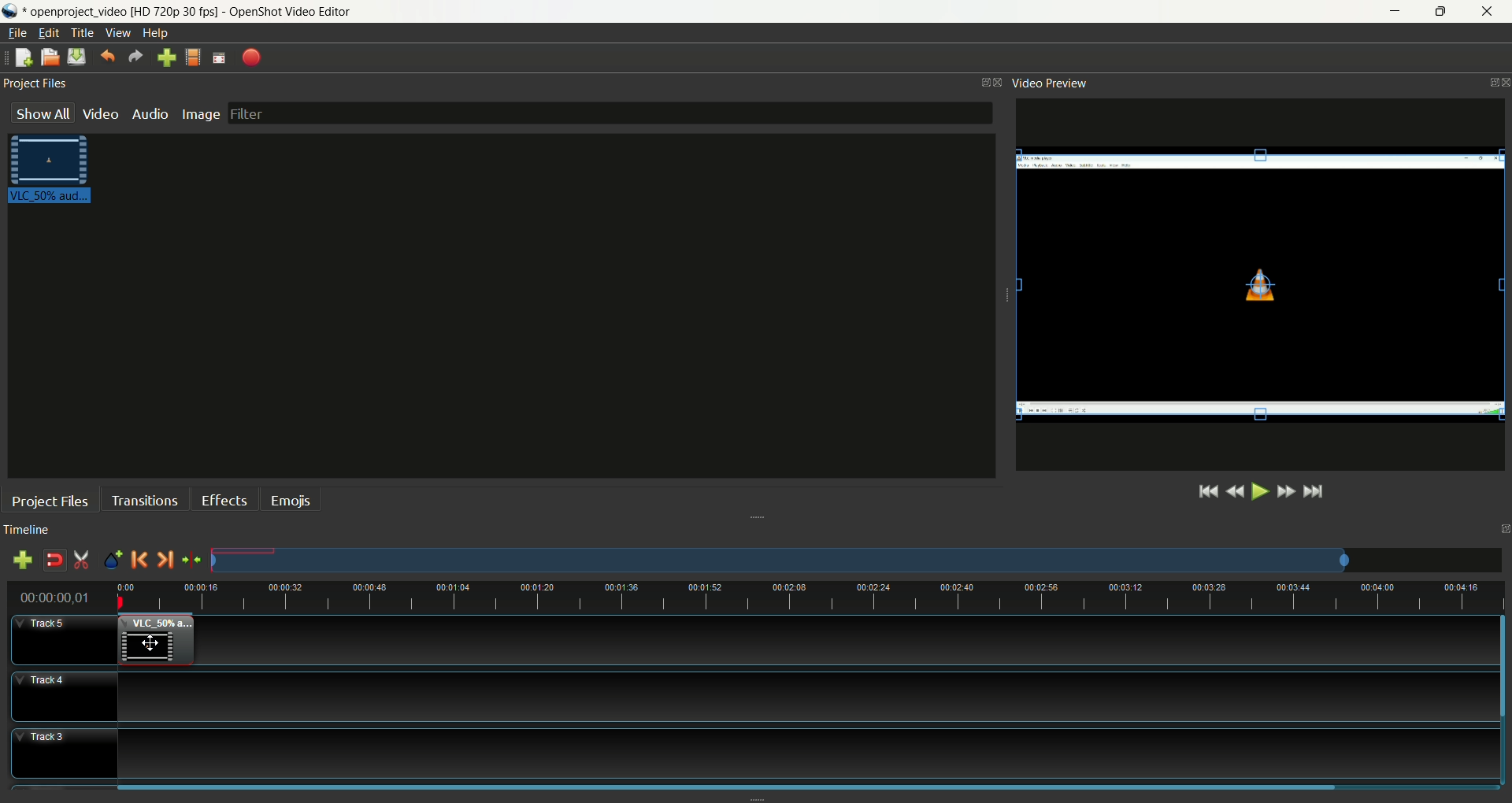 The height and width of the screenshot is (803, 1512). Describe the element at coordinates (17, 31) in the screenshot. I see `file` at that location.